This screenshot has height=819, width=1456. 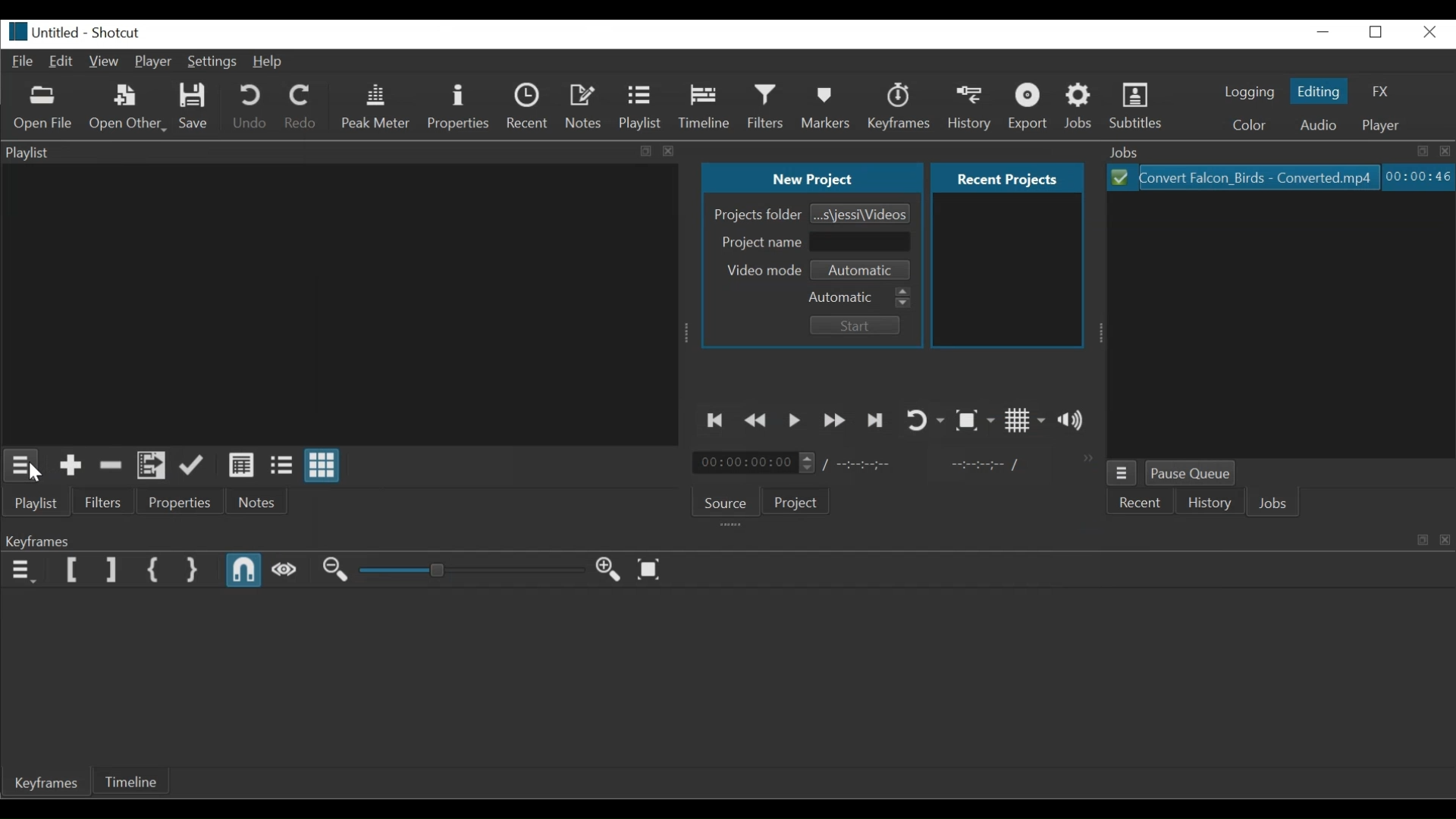 I want to click on View, so click(x=104, y=61).